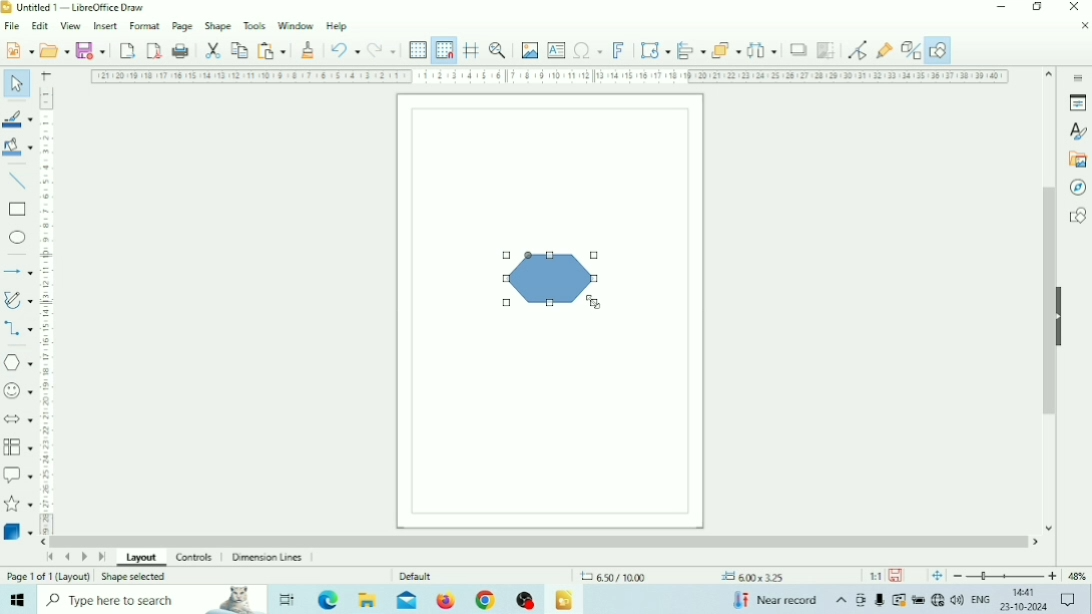  I want to click on Cursor positions, so click(682, 577).